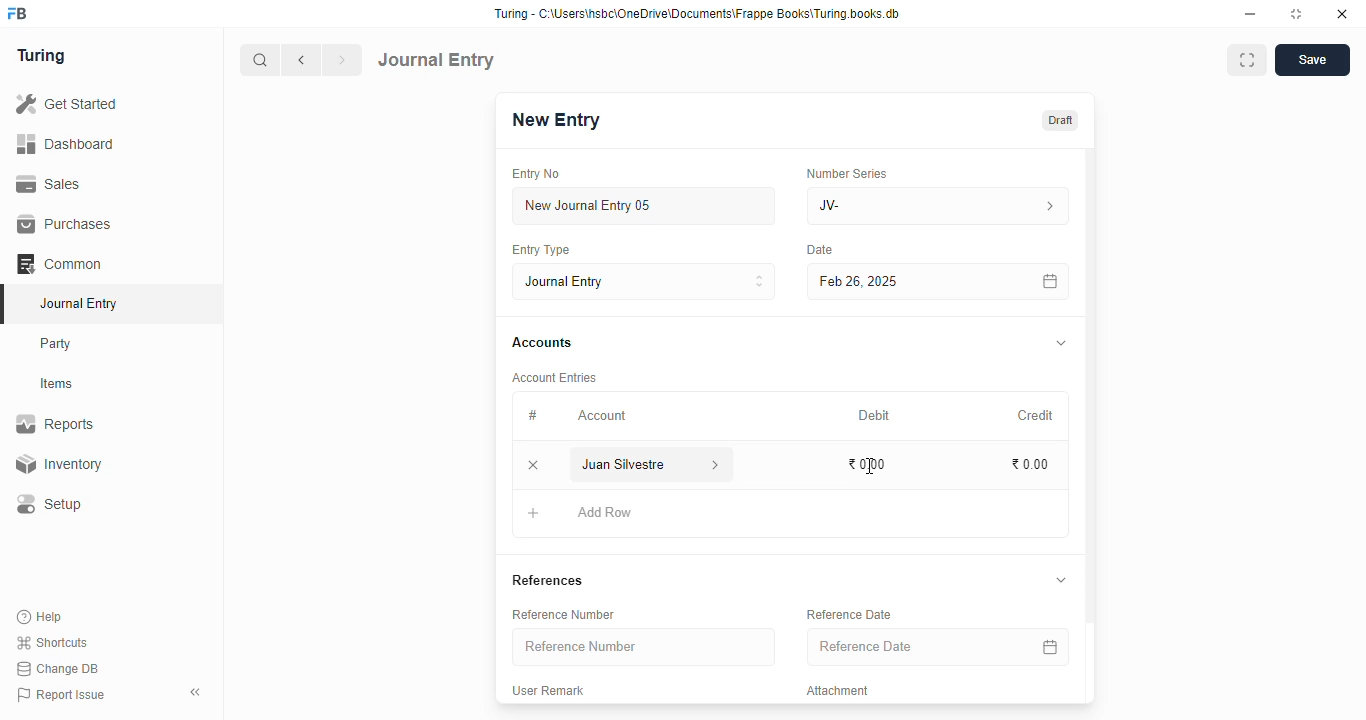 This screenshot has width=1366, height=720. What do you see at coordinates (563, 614) in the screenshot?
I see `reference number` at bounding box center [563, 614].